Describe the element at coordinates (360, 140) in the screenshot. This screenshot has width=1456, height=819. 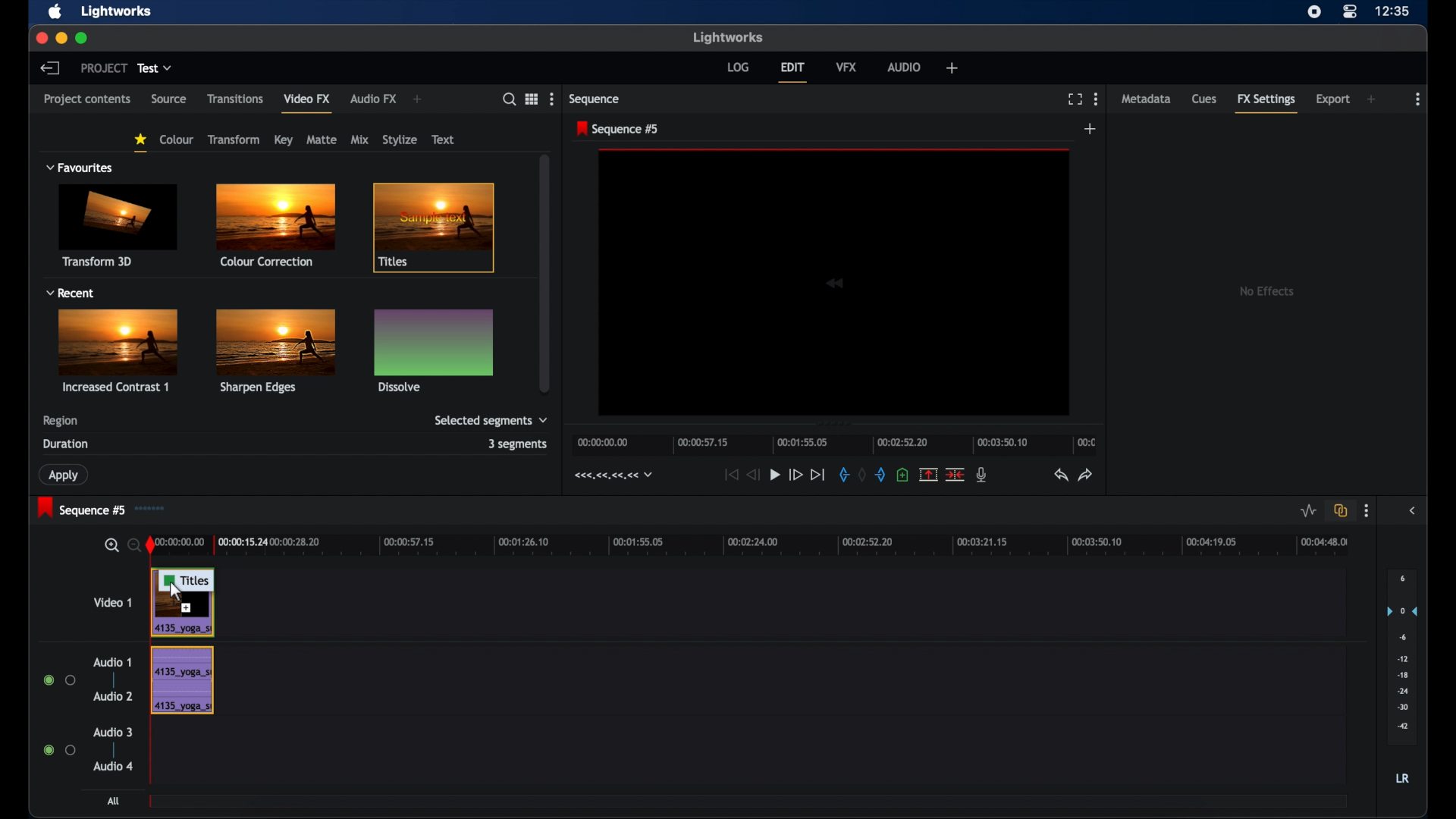
I see `mix` at that location.